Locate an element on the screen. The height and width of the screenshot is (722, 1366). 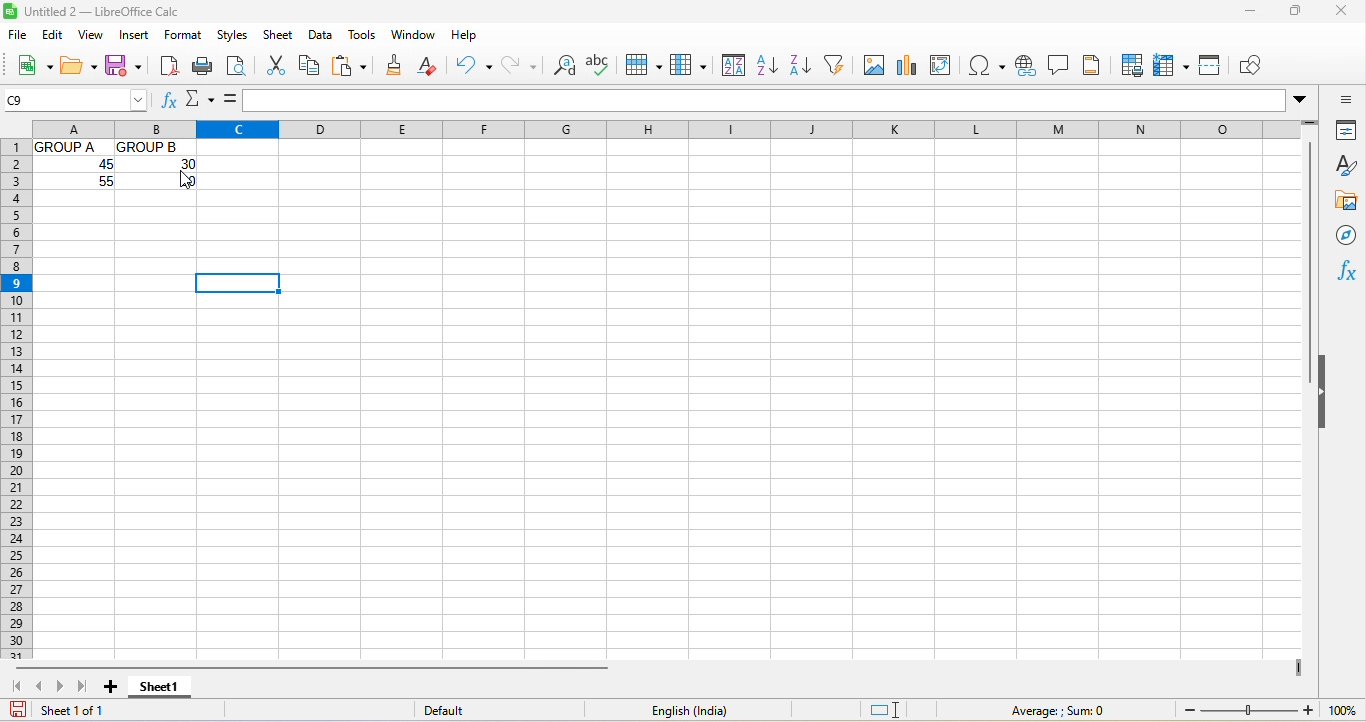
pivot table is located at coordinates (942, 65).